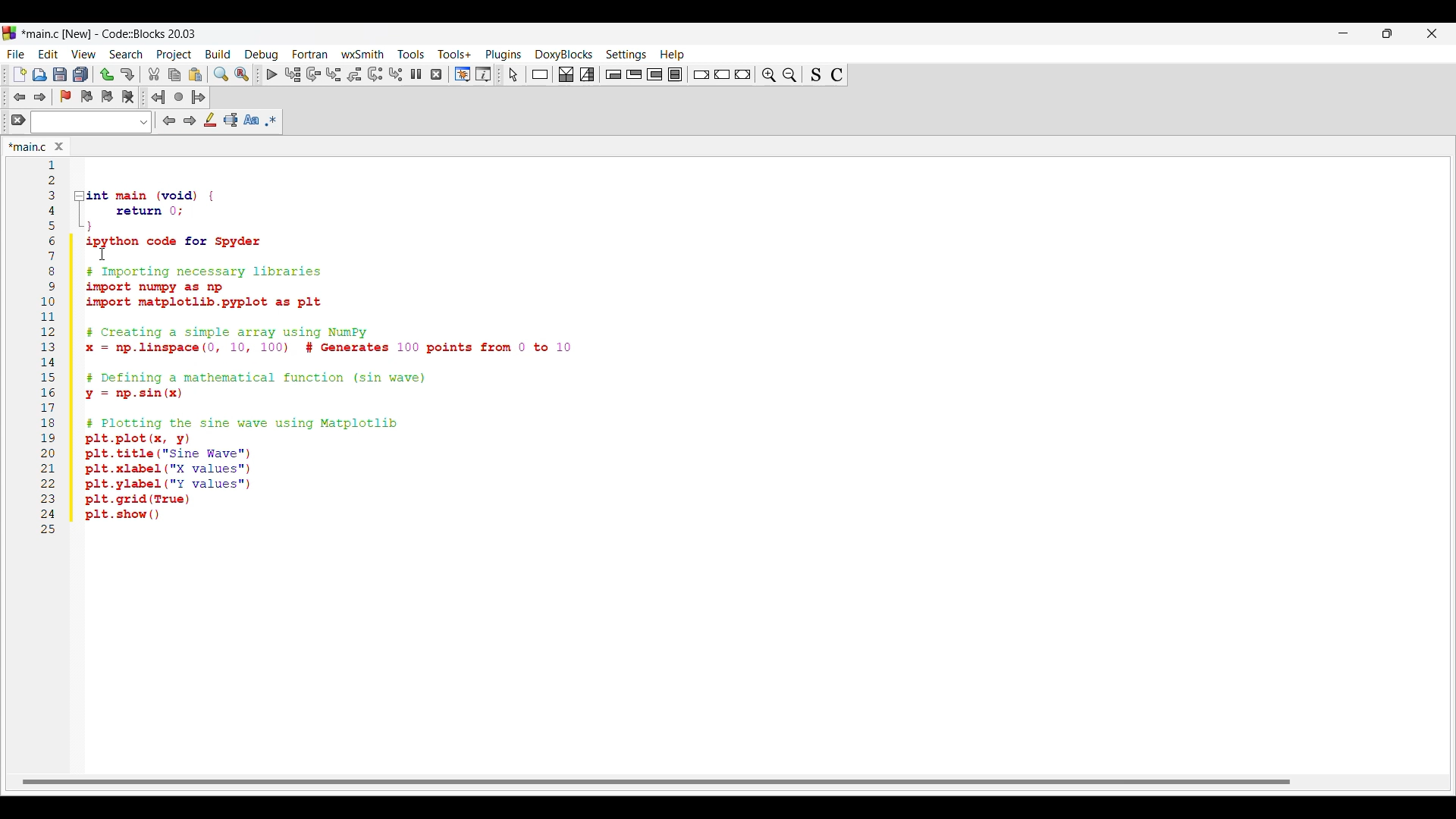 This screenshot has width=1456, height=819. What do you see at coordinates (395, 74) in the screenshot?
I see `Step into instruction` at bounding box center [395, 74].